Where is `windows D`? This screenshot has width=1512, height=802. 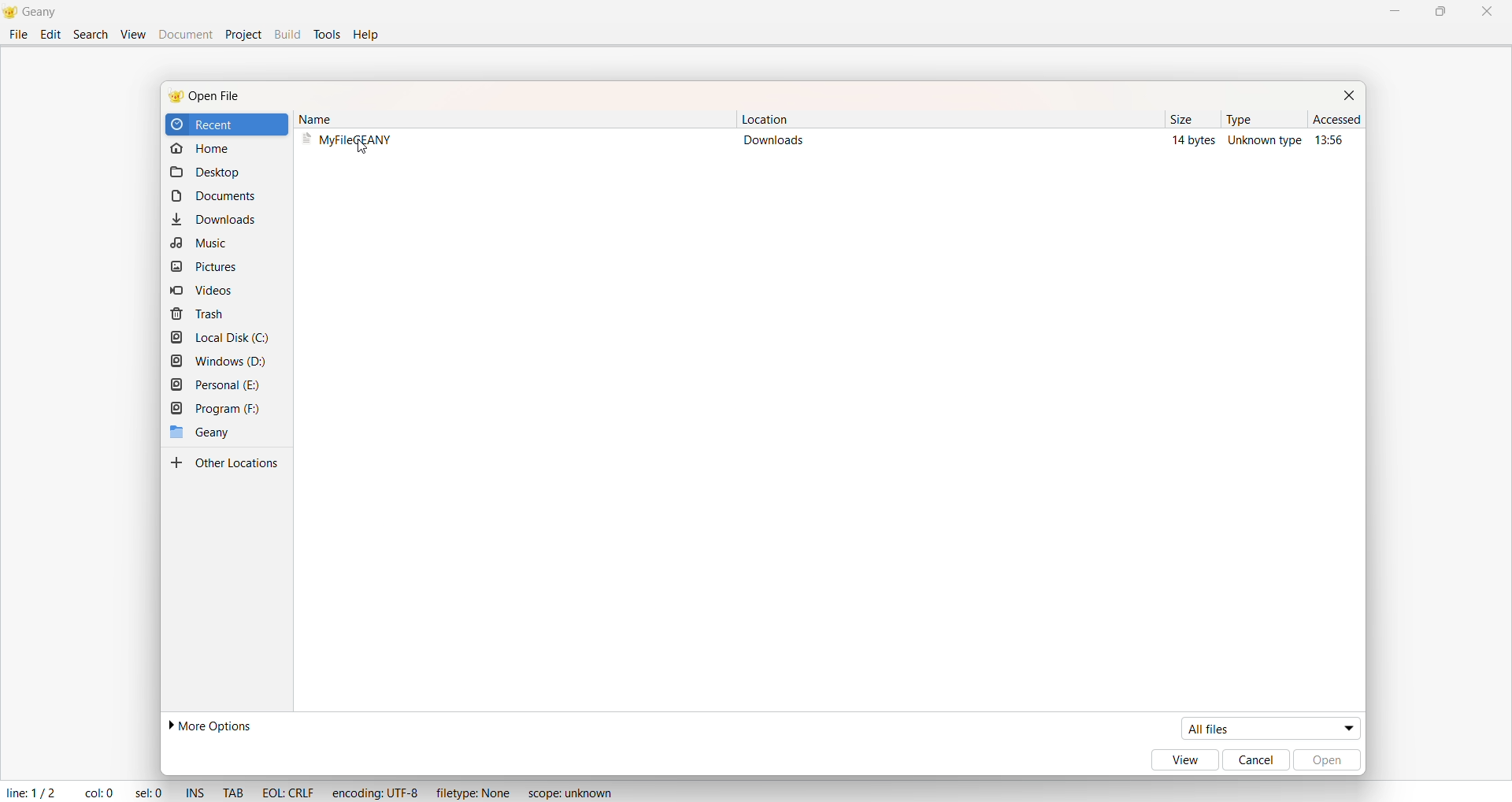
windows D is located at coordinates (220, 361).